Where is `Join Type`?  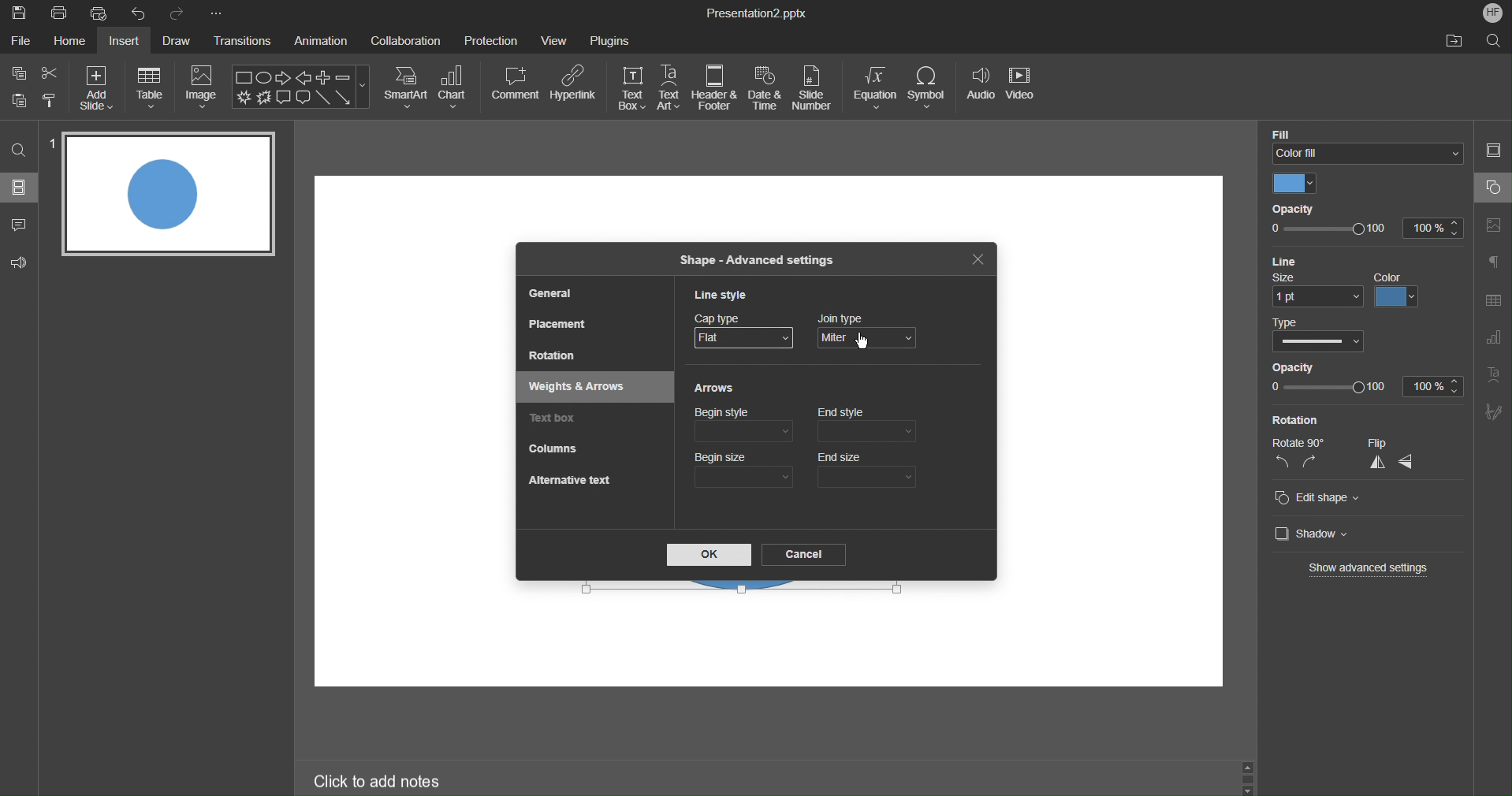
Join Type is located at coordinates (876, 334).